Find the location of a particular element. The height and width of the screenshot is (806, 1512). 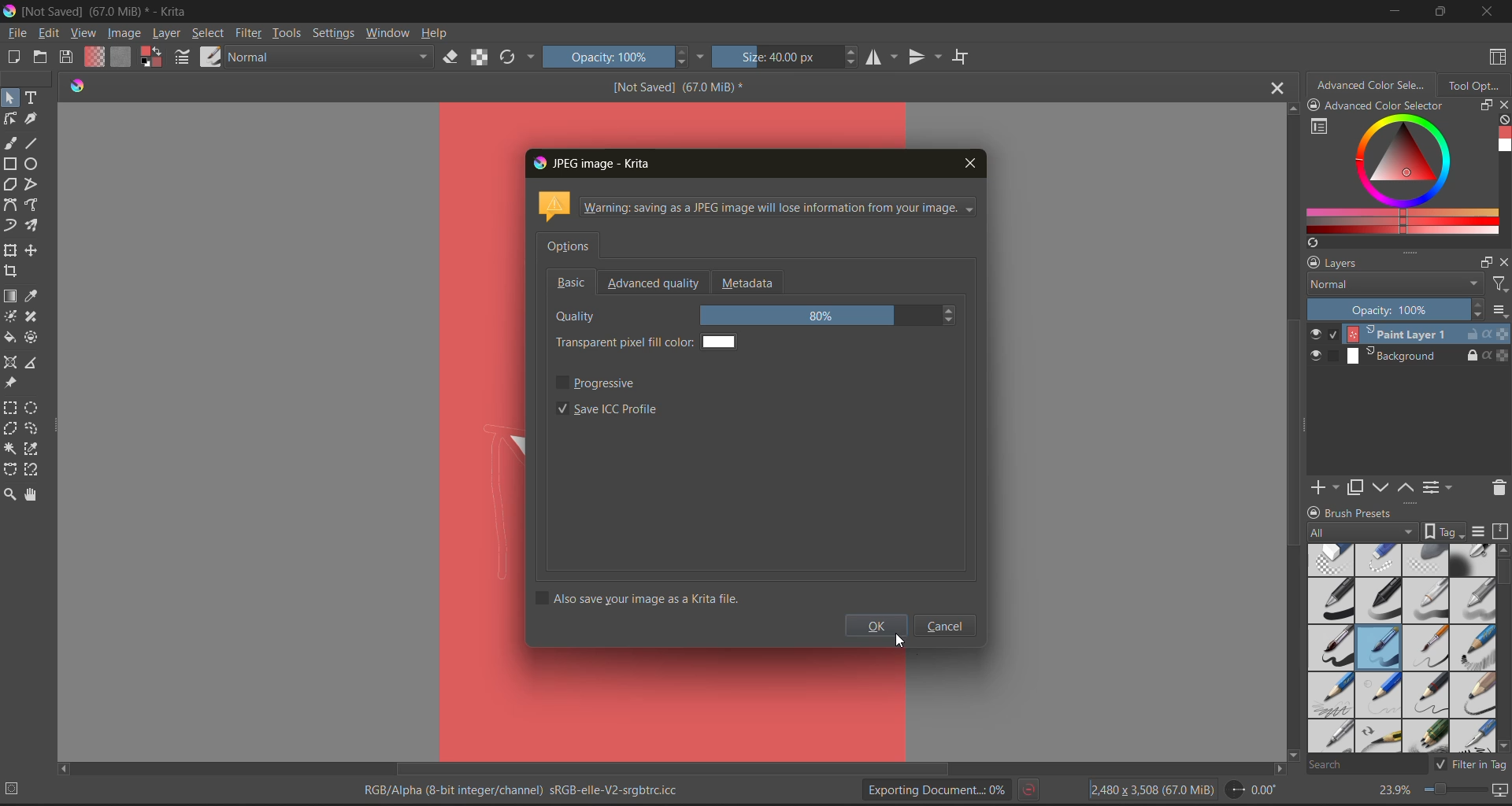

fill patterns is located at coordinates (125, 56).